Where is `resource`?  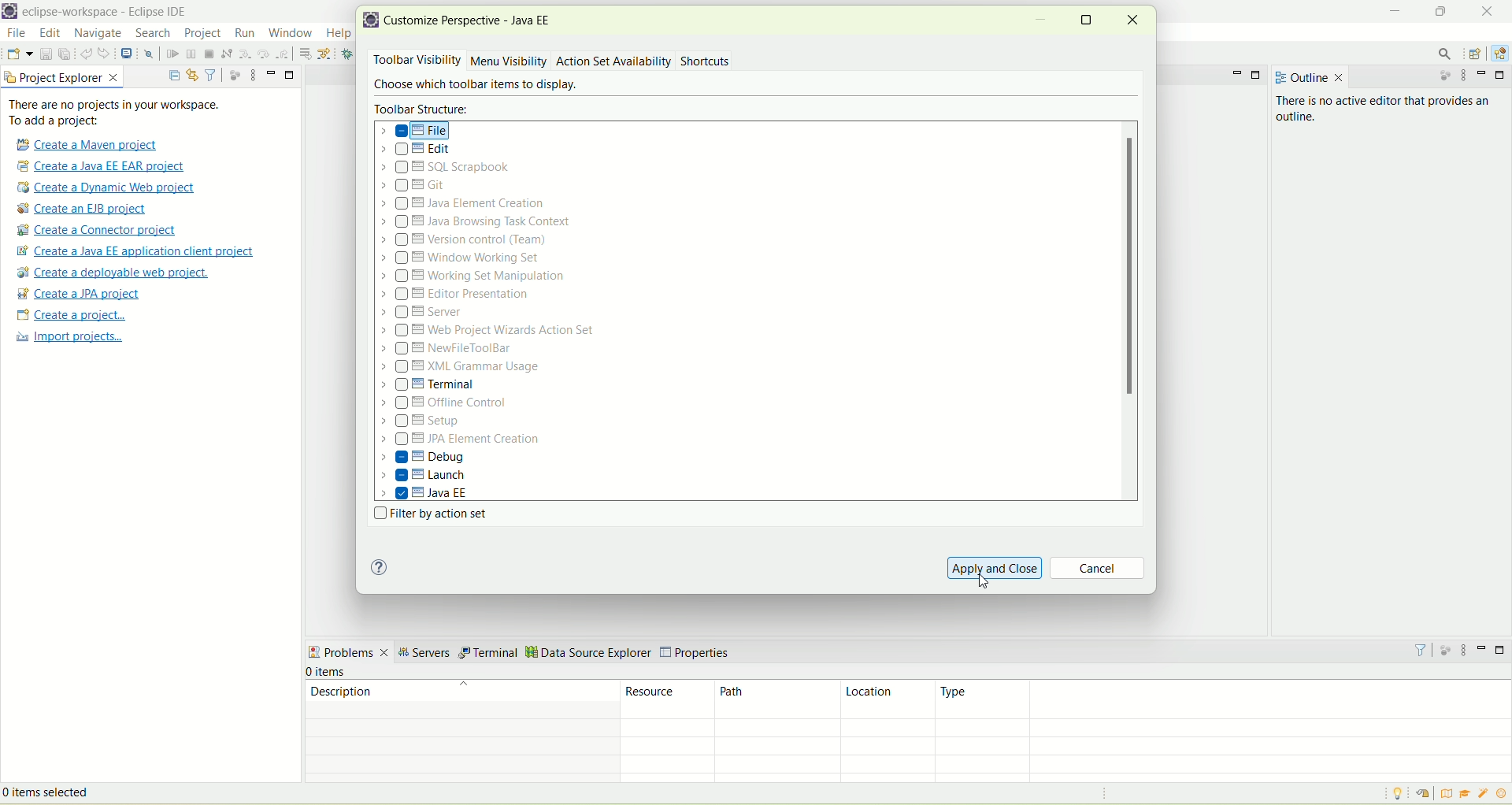 resource is located at coordinates (669, 699).